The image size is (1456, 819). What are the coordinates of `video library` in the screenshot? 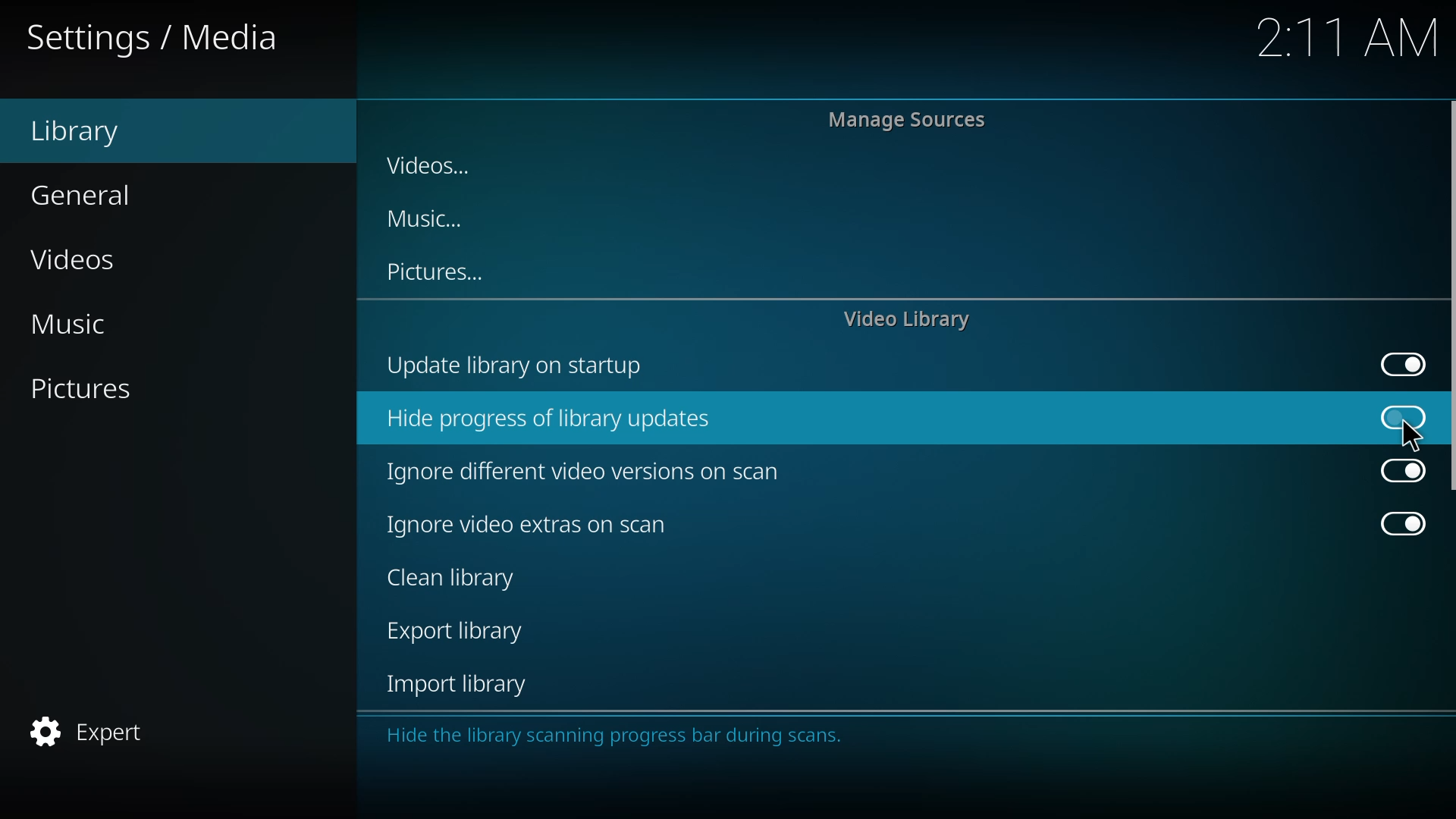 It's located at (912, 319).